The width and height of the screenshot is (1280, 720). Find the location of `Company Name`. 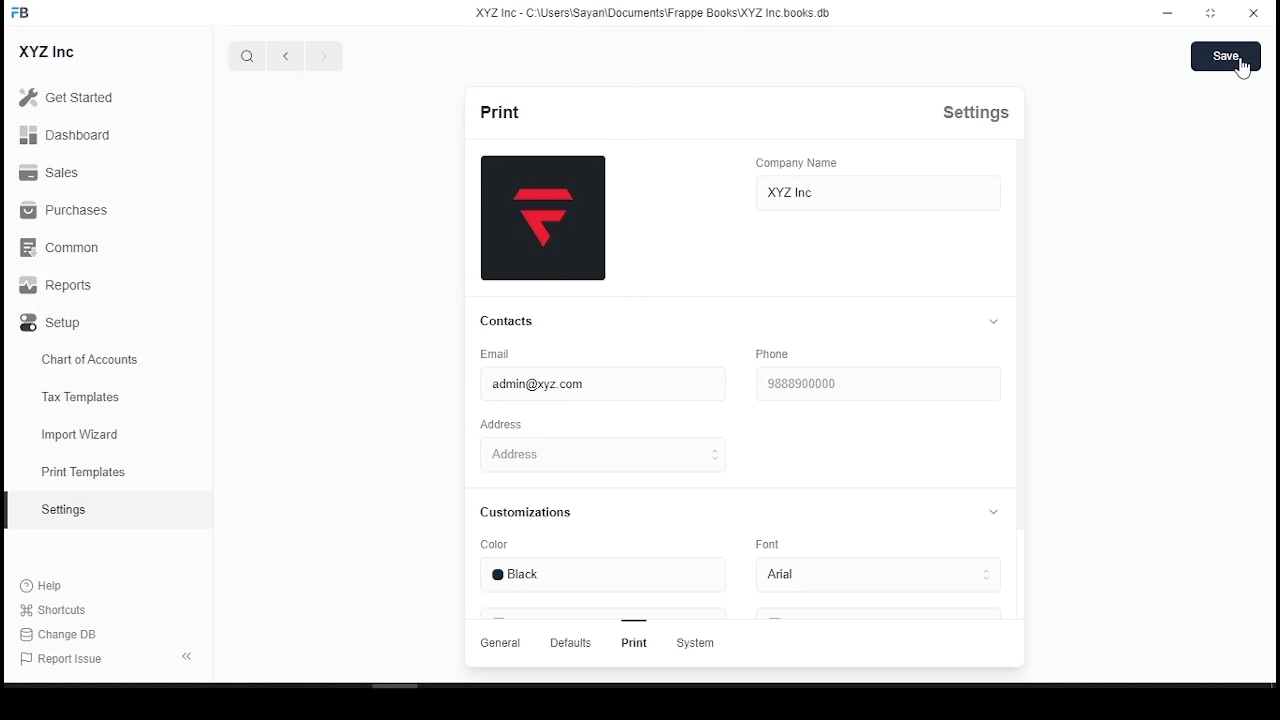

Company Name is located at coordinates (796, 160).